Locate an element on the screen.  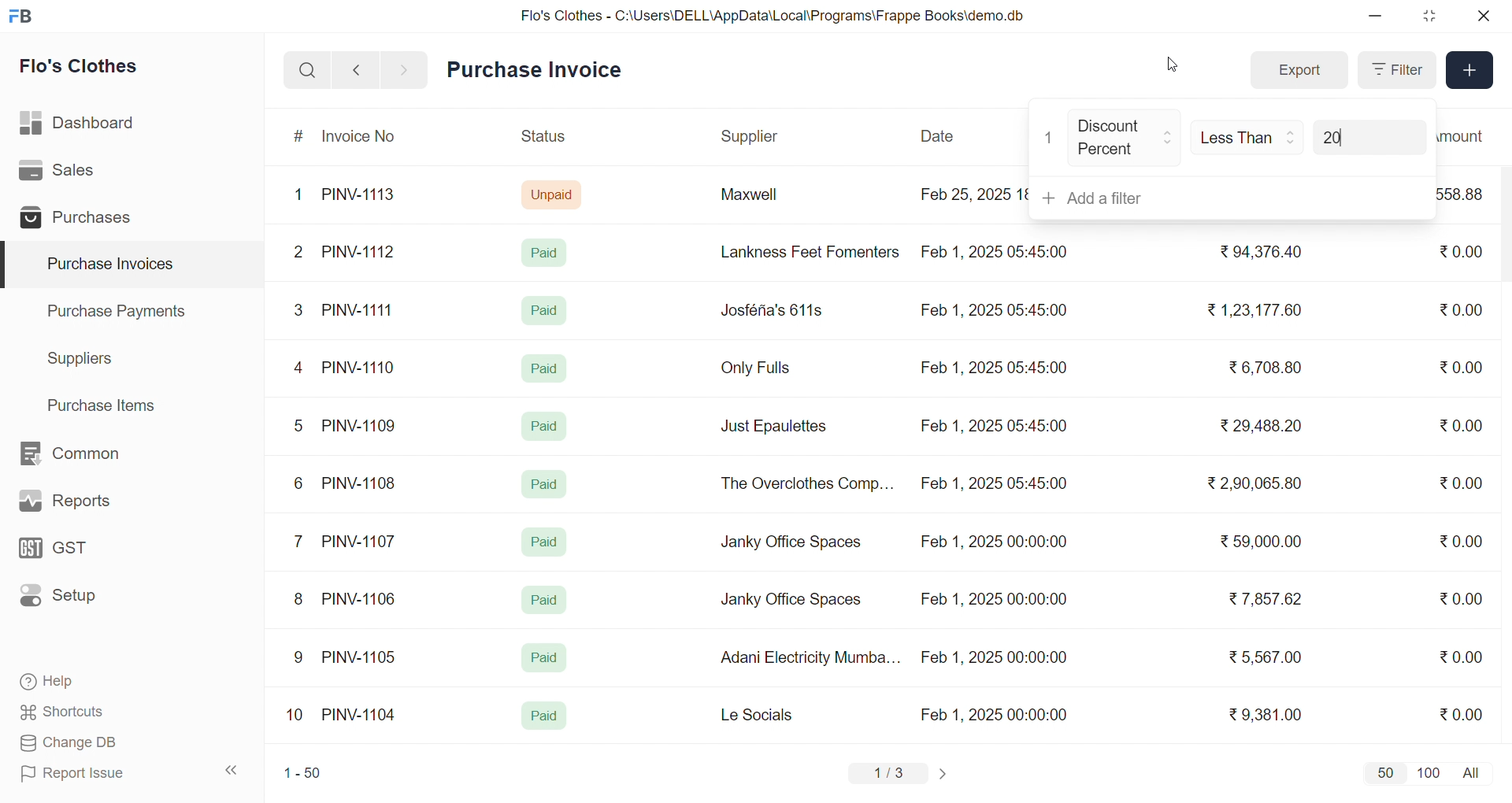
Flo's Clothes - C:\Users\DELL\AppData\Local\Programs\Frappe Books\demo.db is located at coordinates (773, 16).